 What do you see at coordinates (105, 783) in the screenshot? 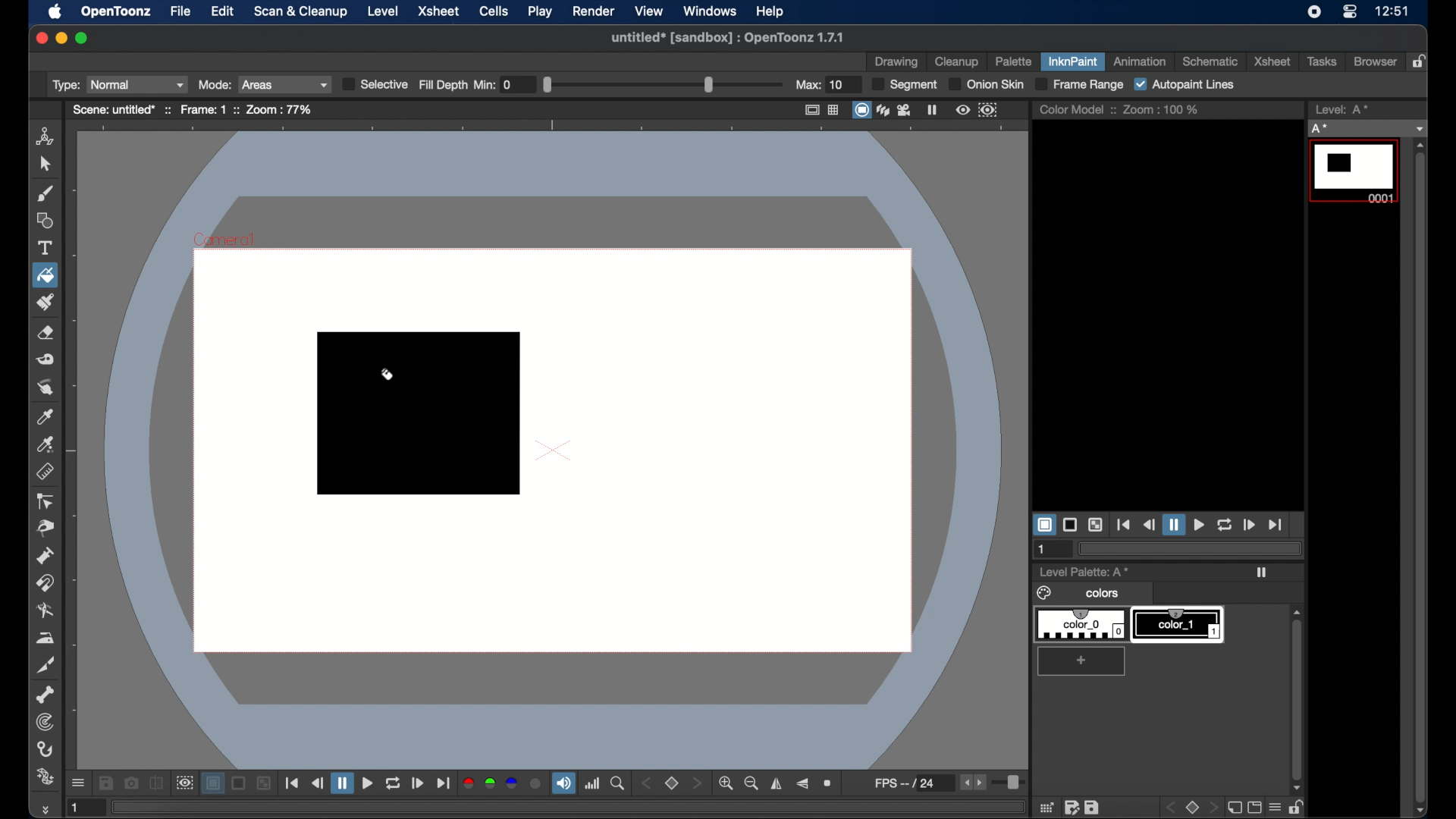
I see `save images` at bounding box center [105, 783].